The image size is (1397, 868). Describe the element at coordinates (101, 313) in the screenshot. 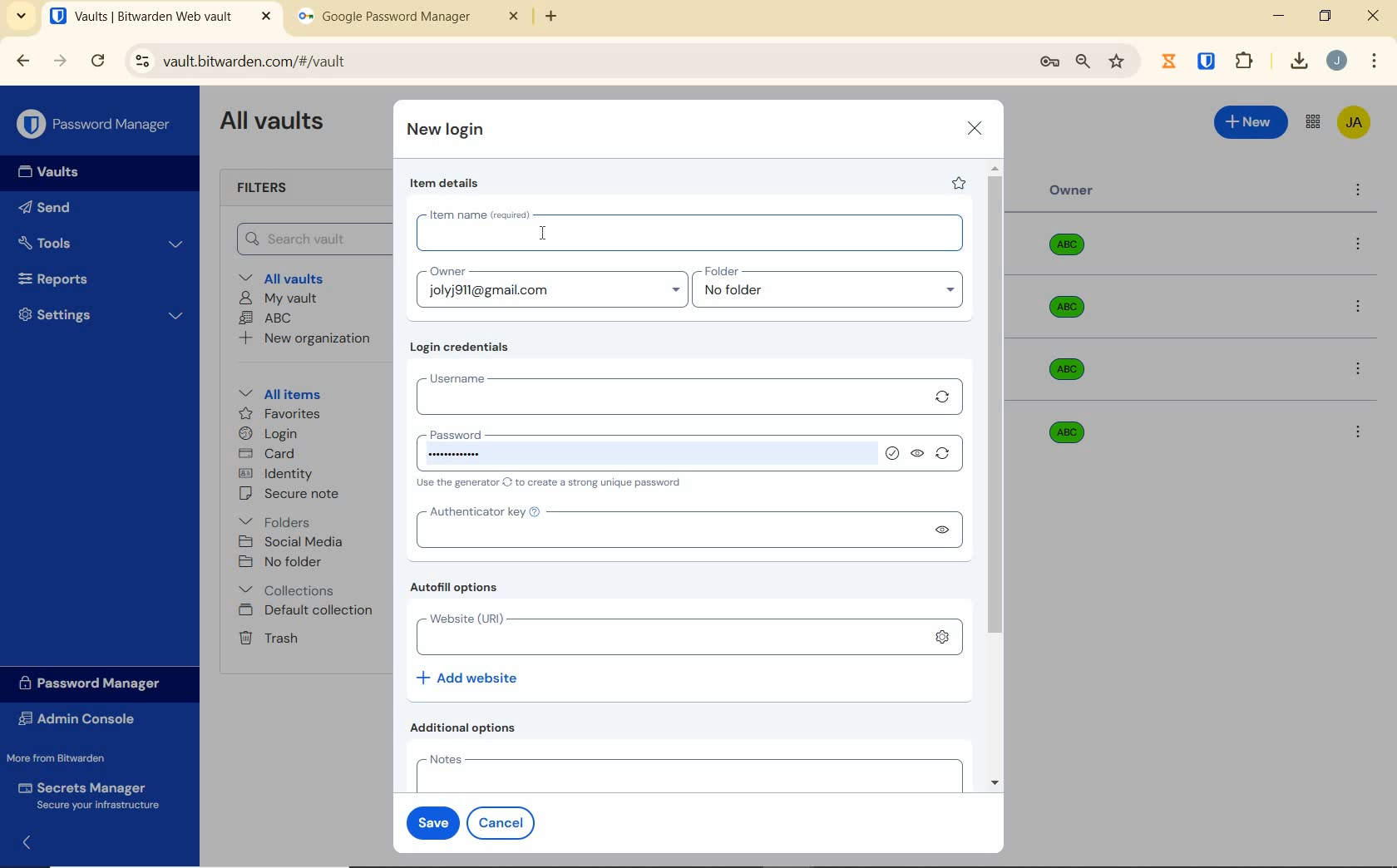

I see `Settings` at that location.